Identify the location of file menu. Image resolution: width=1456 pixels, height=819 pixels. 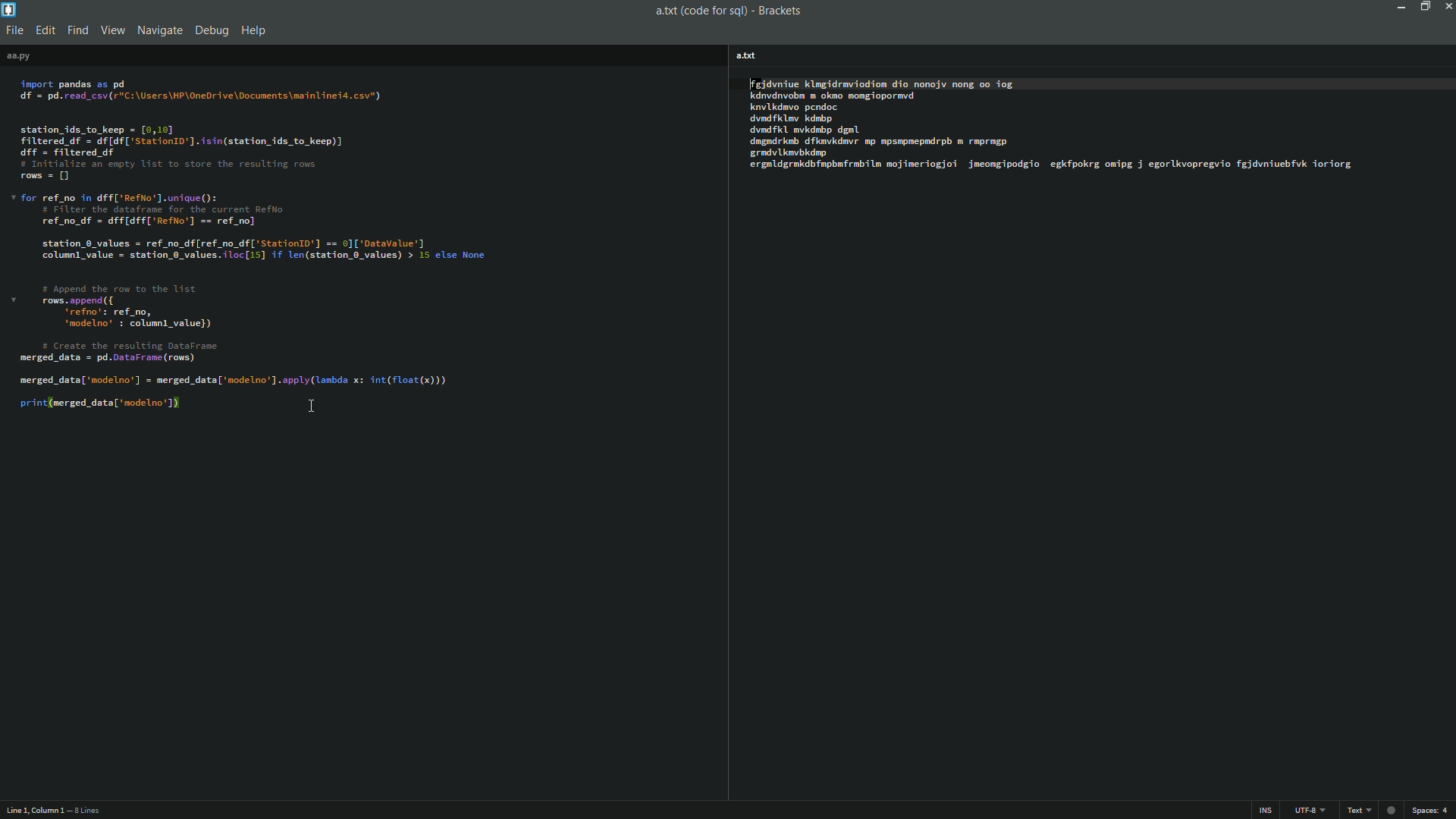
(14, 31).